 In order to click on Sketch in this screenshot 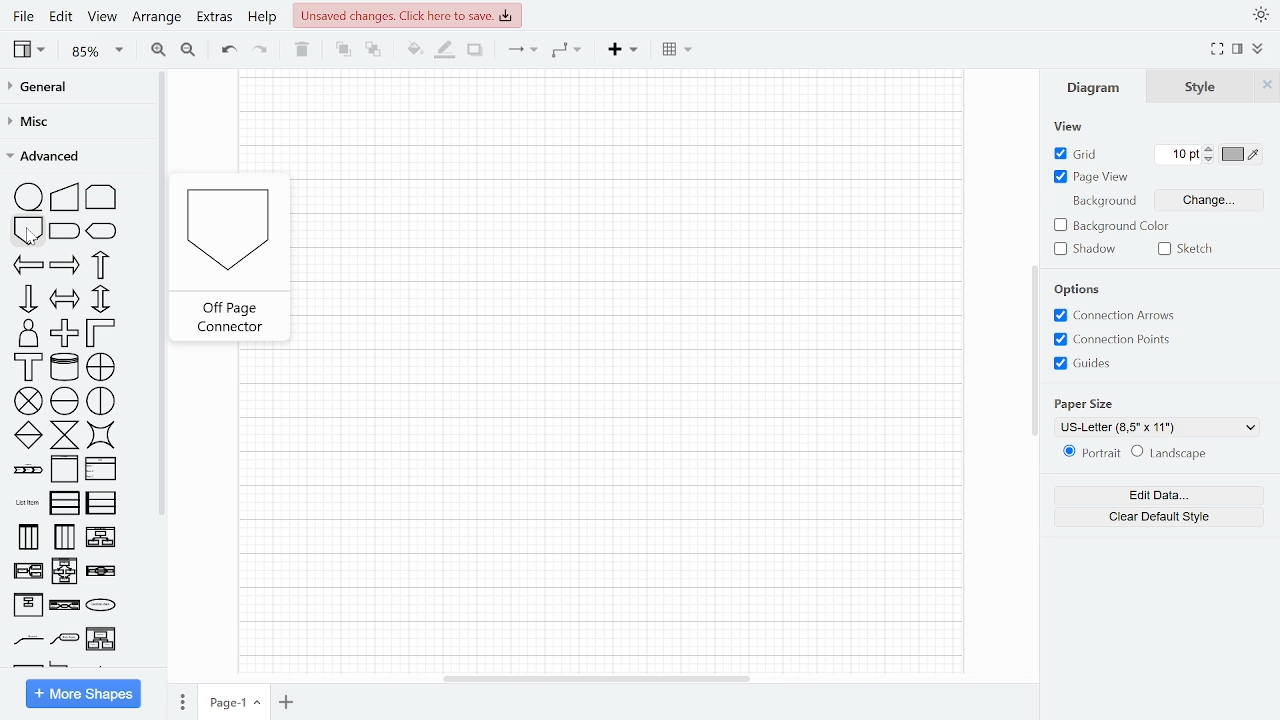, I will do `click(1185, 250)`.